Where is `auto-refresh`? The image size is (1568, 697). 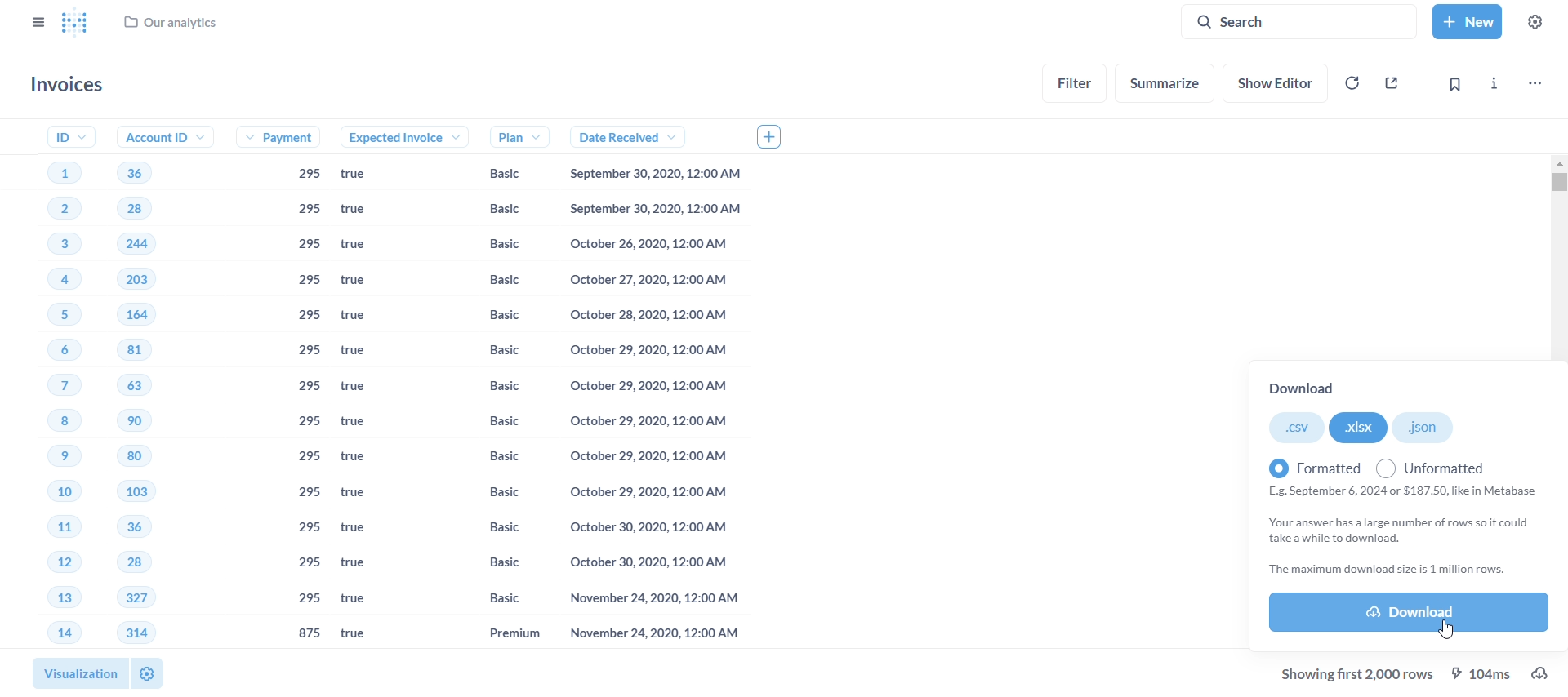
auto-refresh is located at coordinates (1351, 82).